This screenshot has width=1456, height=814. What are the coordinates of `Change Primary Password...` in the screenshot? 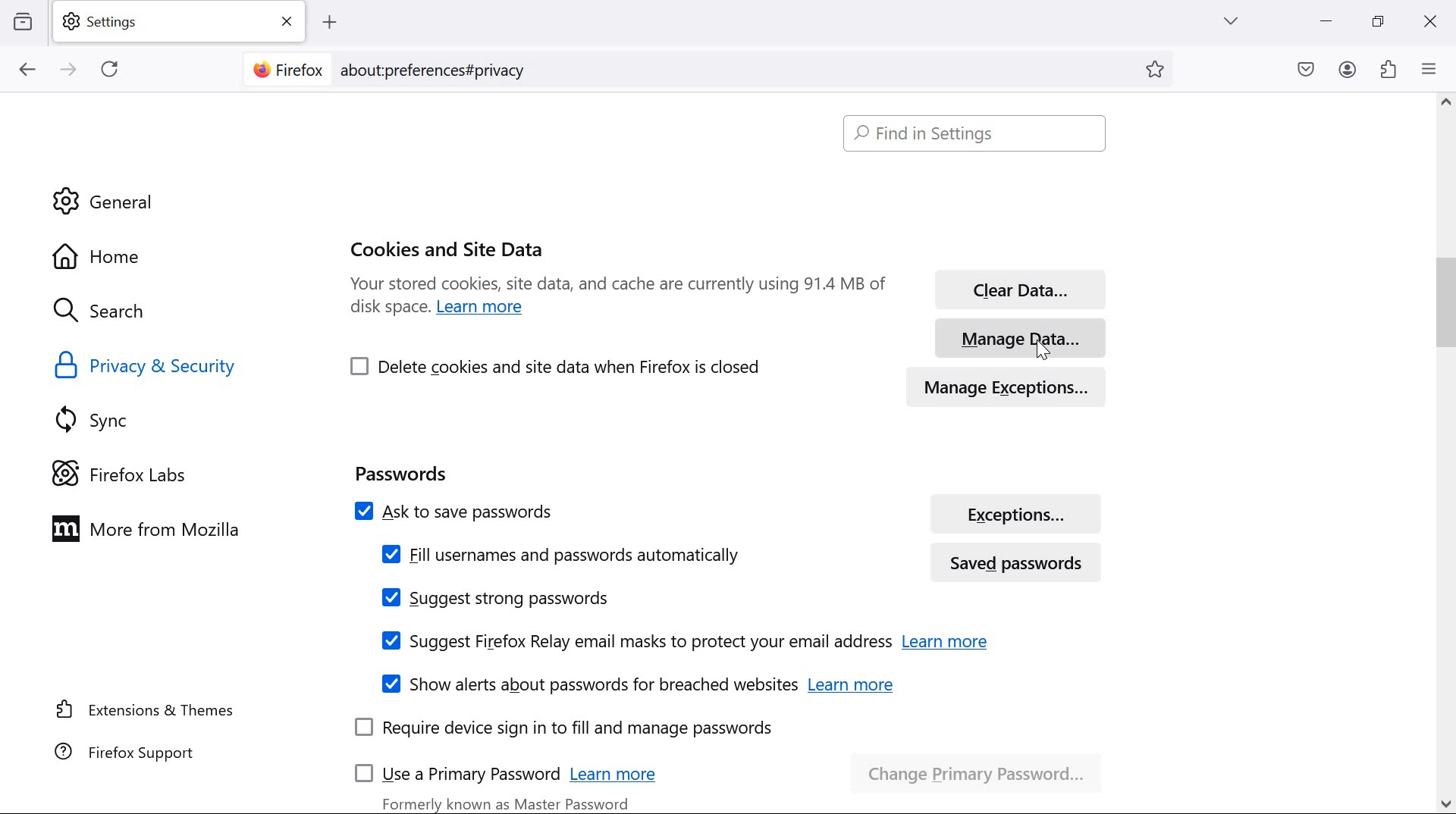 It's located at (981, 768).